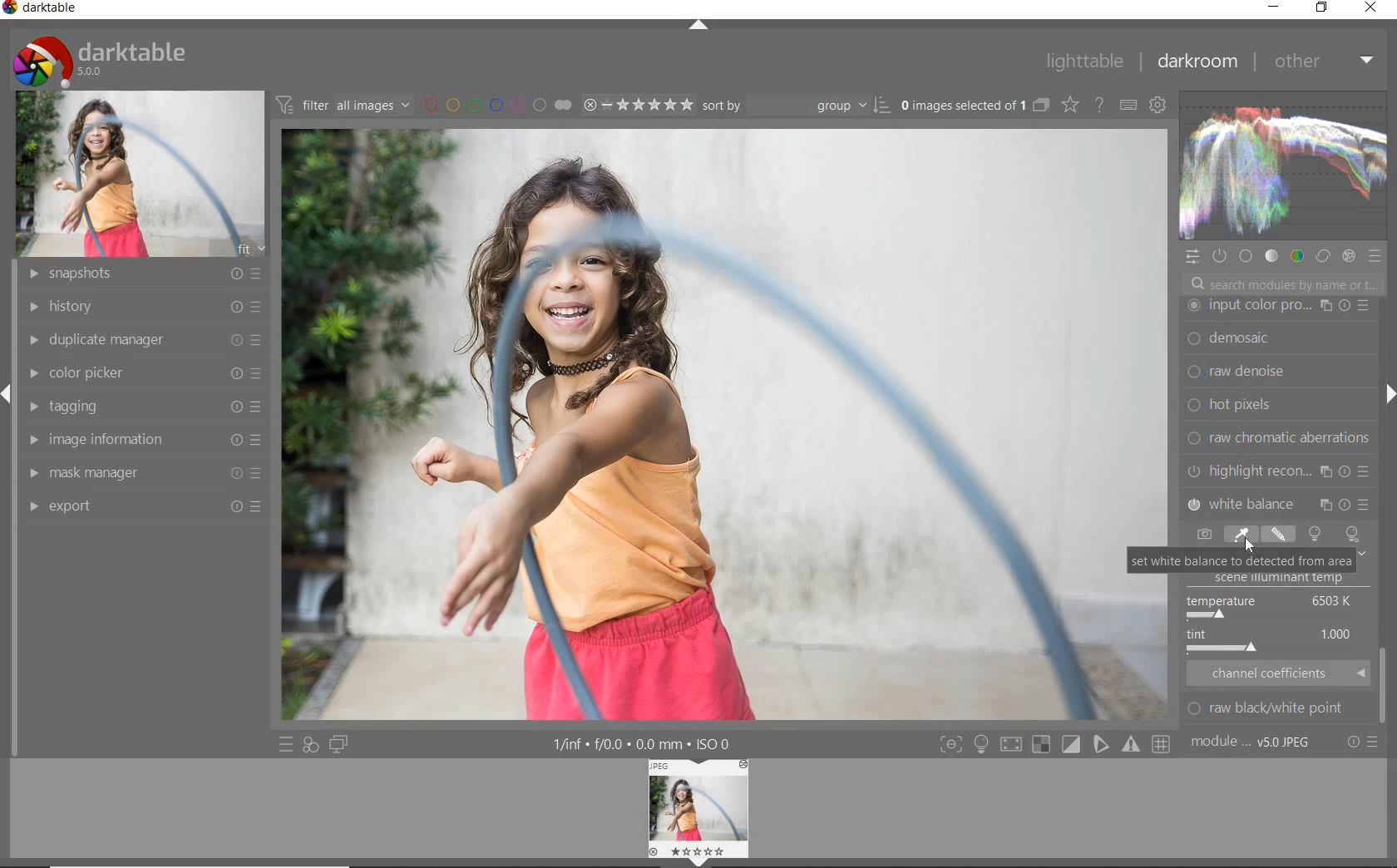  Describe the element at coordinates (1271, 255) in the screenshot. I see `tone` at that location.